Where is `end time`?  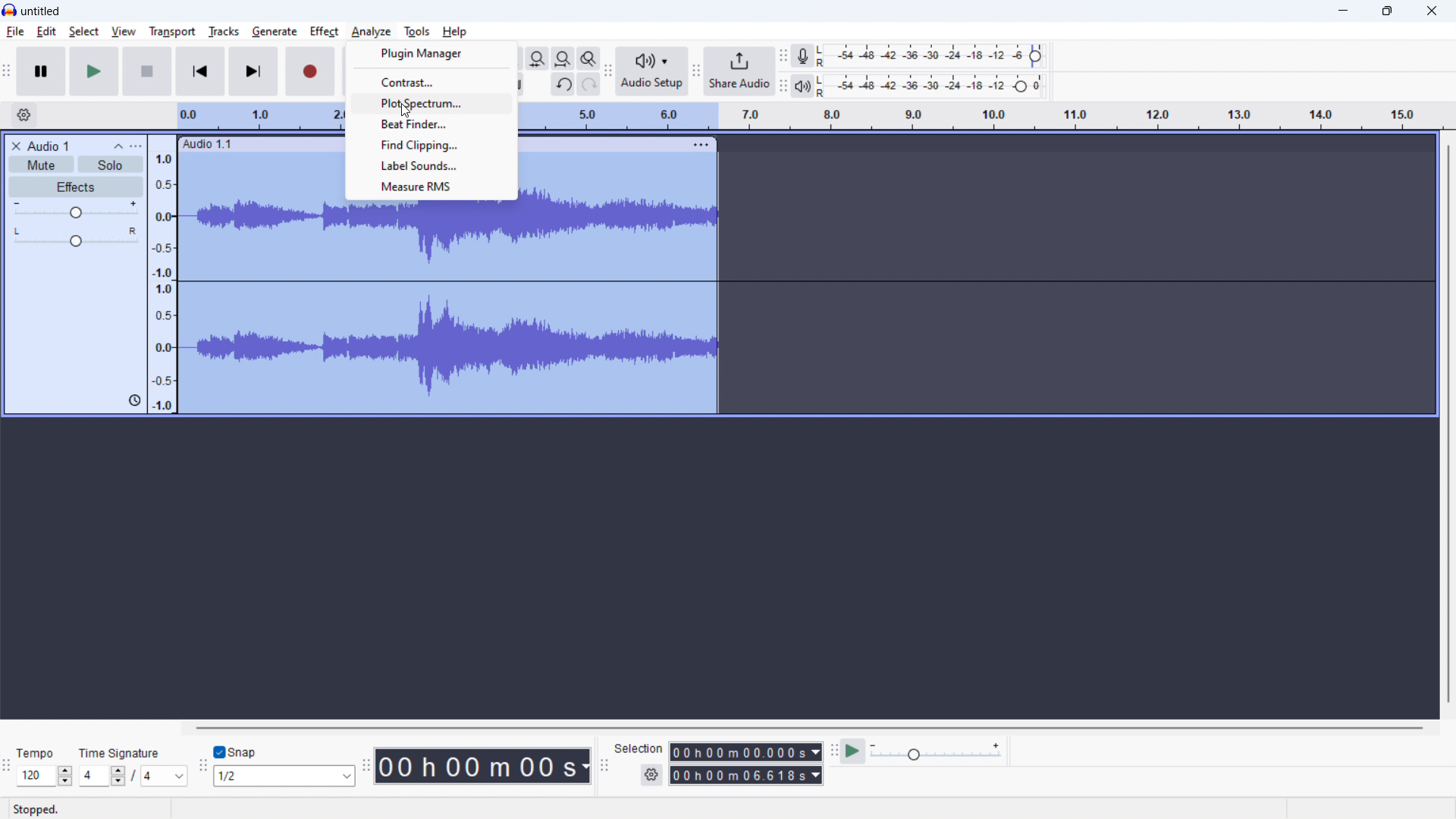
end time is located at coordinates (746, 776).